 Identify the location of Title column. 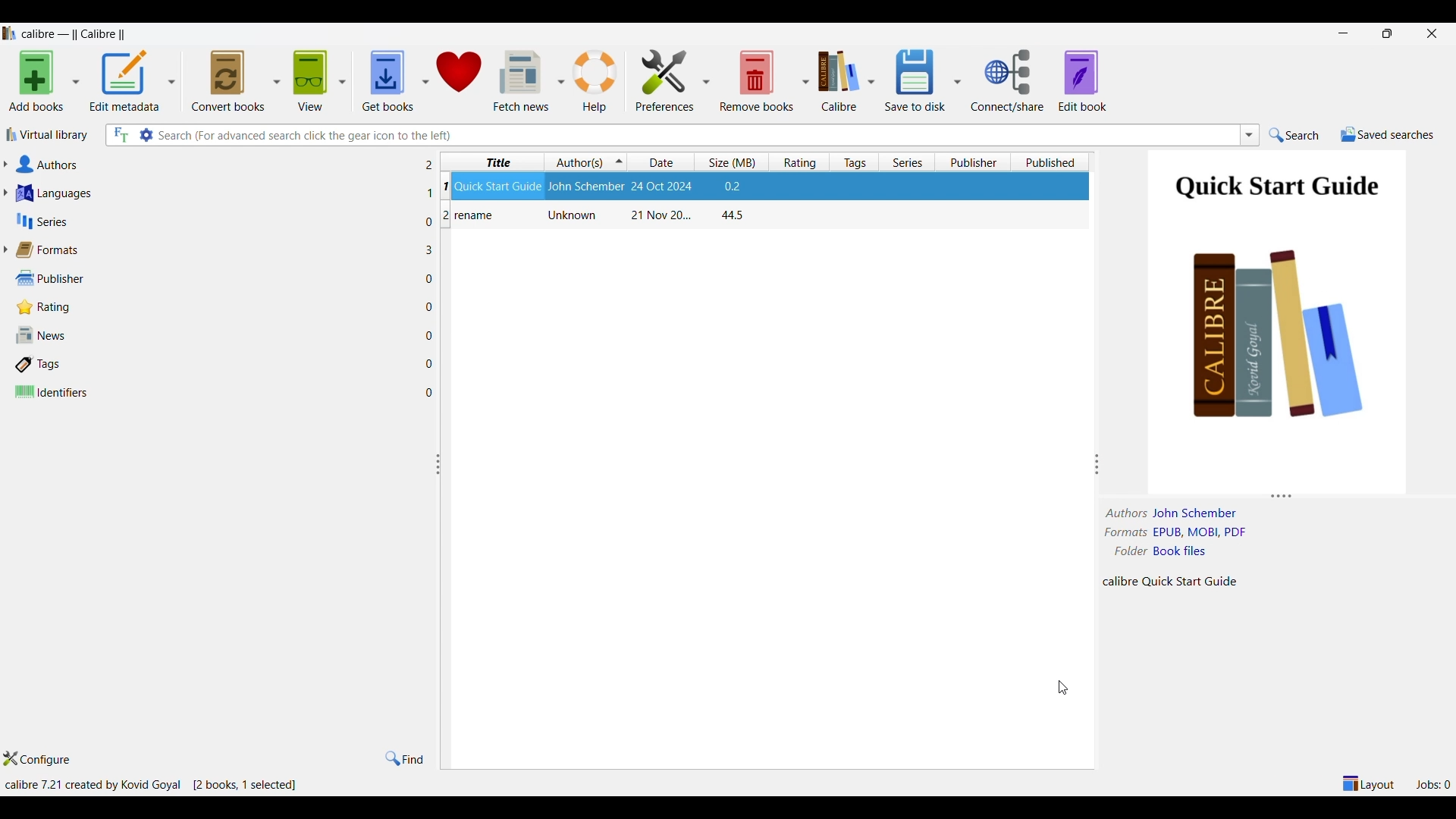
(492, 162).